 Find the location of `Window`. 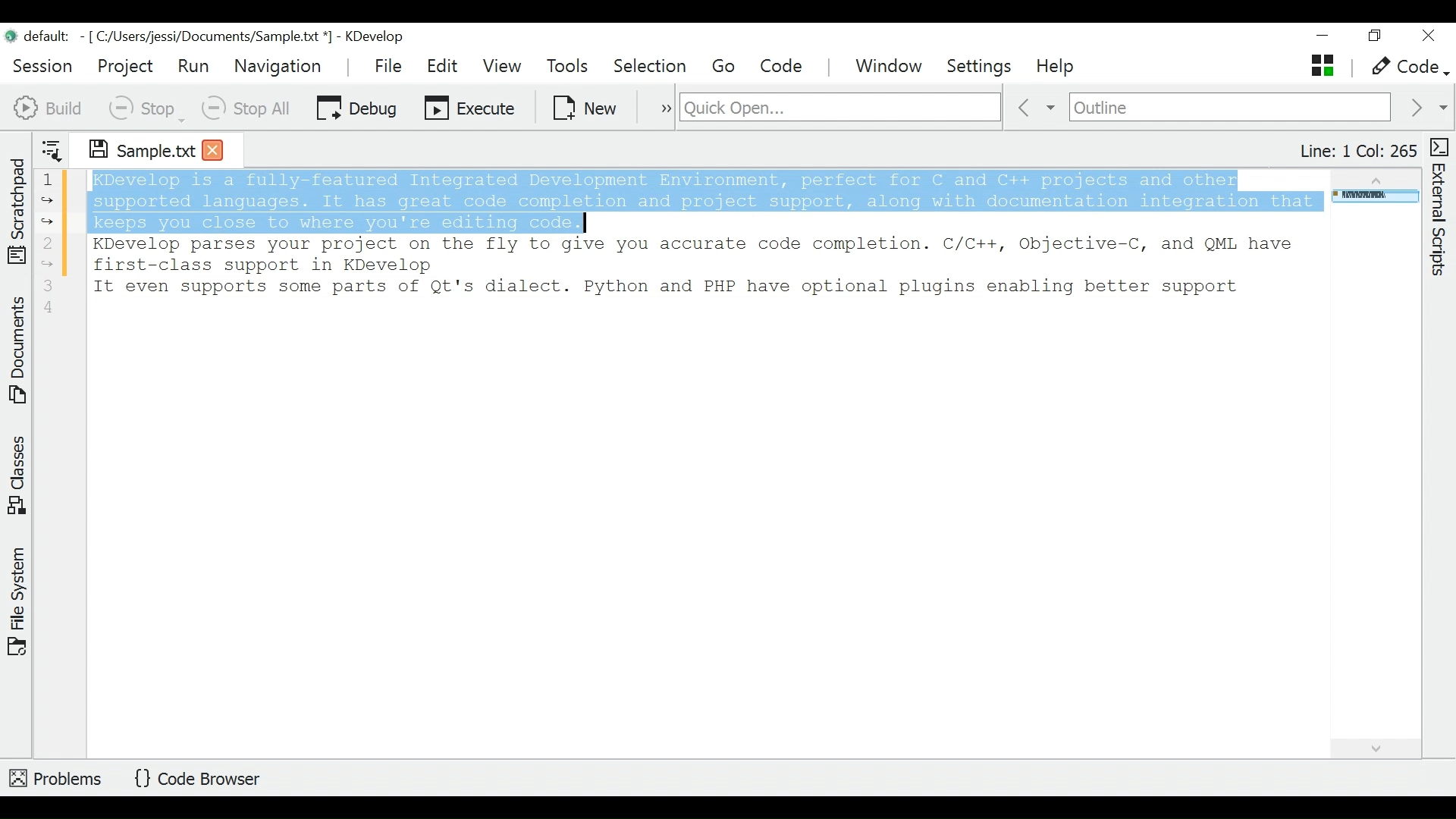

Window is located at coordinates (891, 67).